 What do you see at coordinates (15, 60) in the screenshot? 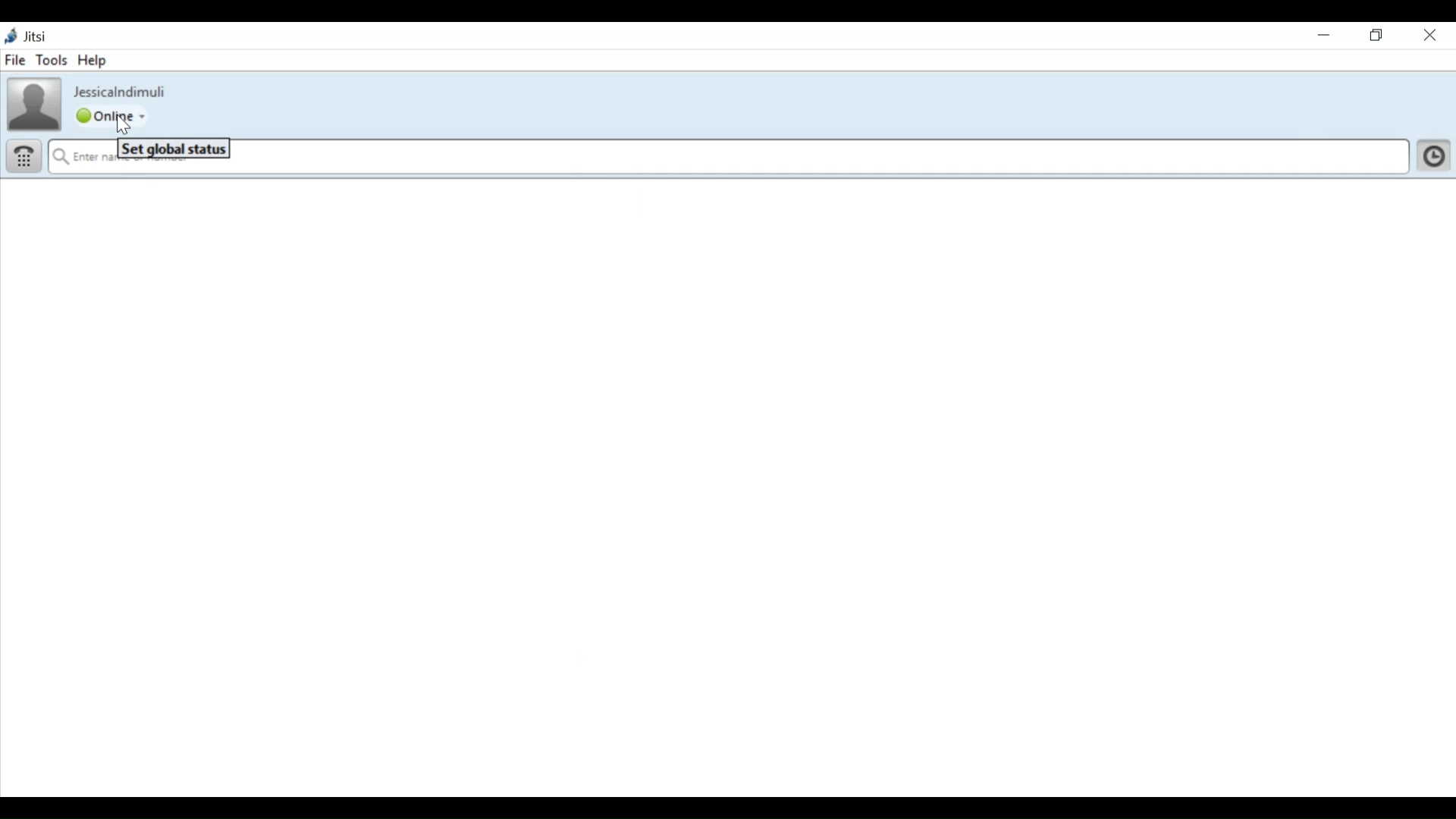
I see `File` at bounding box center [15, 60].